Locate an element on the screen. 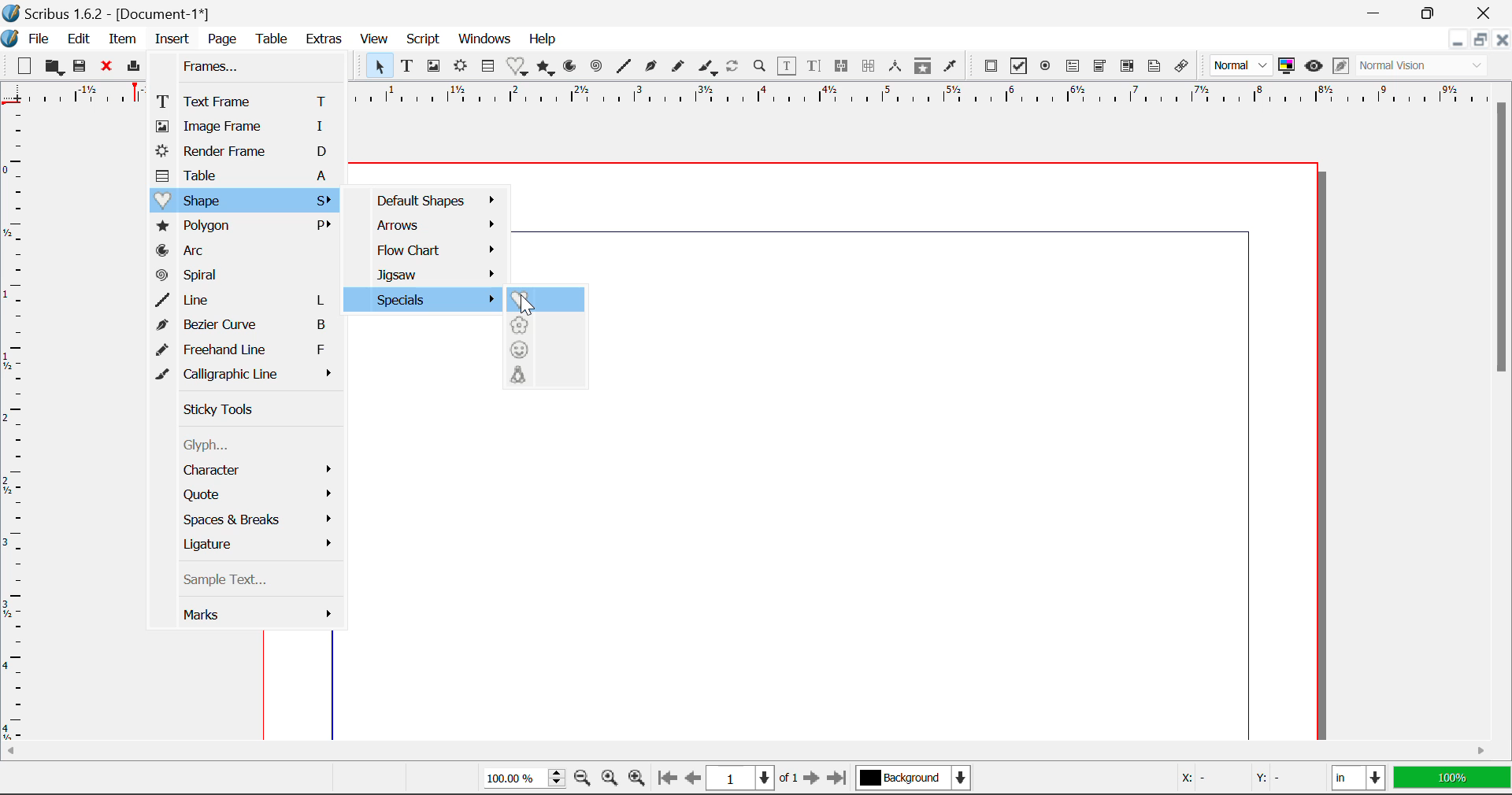  Render Frame is located at coordinates (246, 153).